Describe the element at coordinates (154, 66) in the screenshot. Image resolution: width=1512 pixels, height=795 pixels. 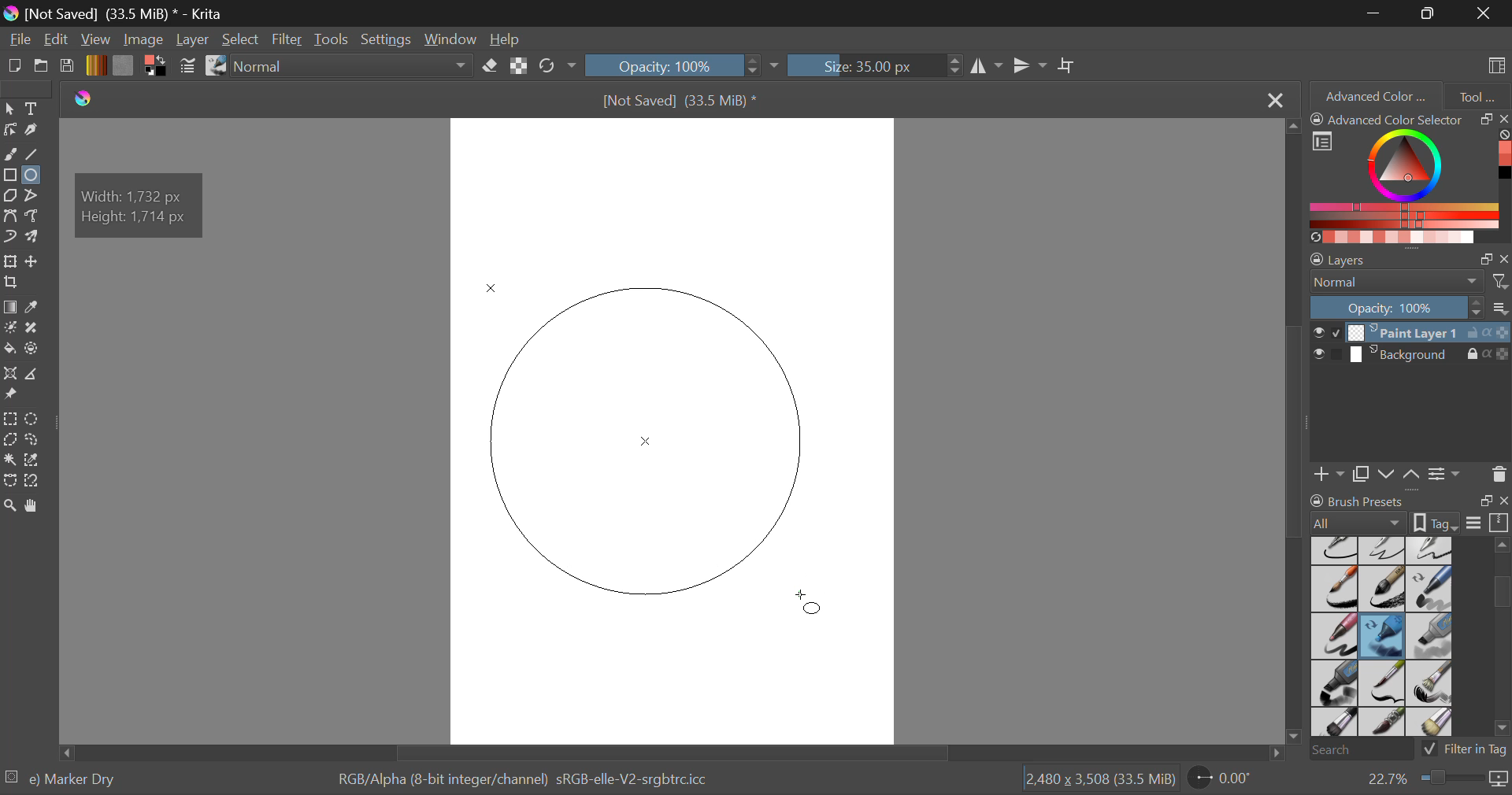
I see `Colors in Use` at that location.